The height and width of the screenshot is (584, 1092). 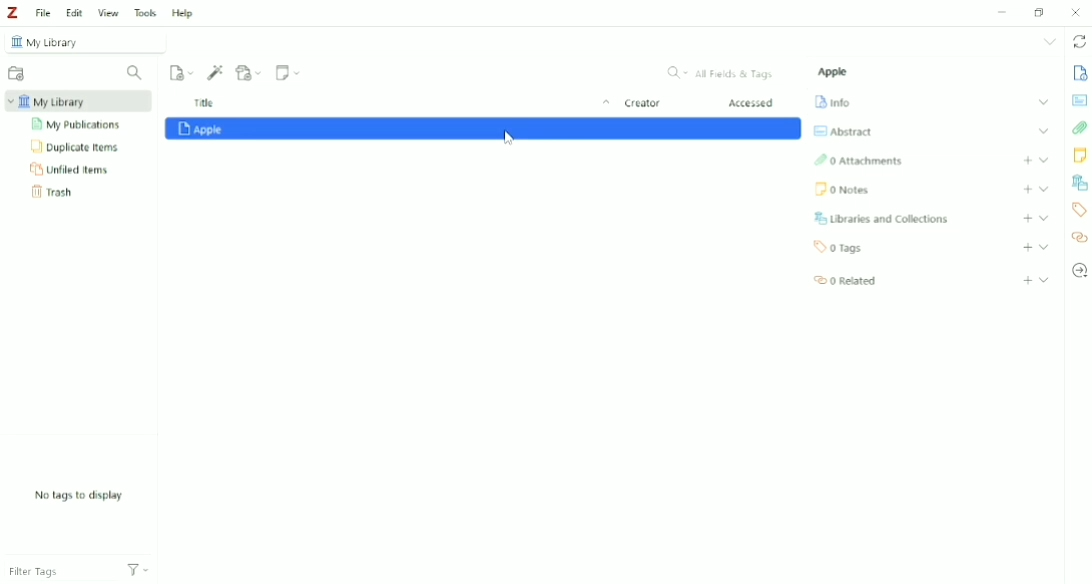 What do you see at coordinates (15, 73) in the screenshot?
I see `New Collection` at bounding box center [15, 73].